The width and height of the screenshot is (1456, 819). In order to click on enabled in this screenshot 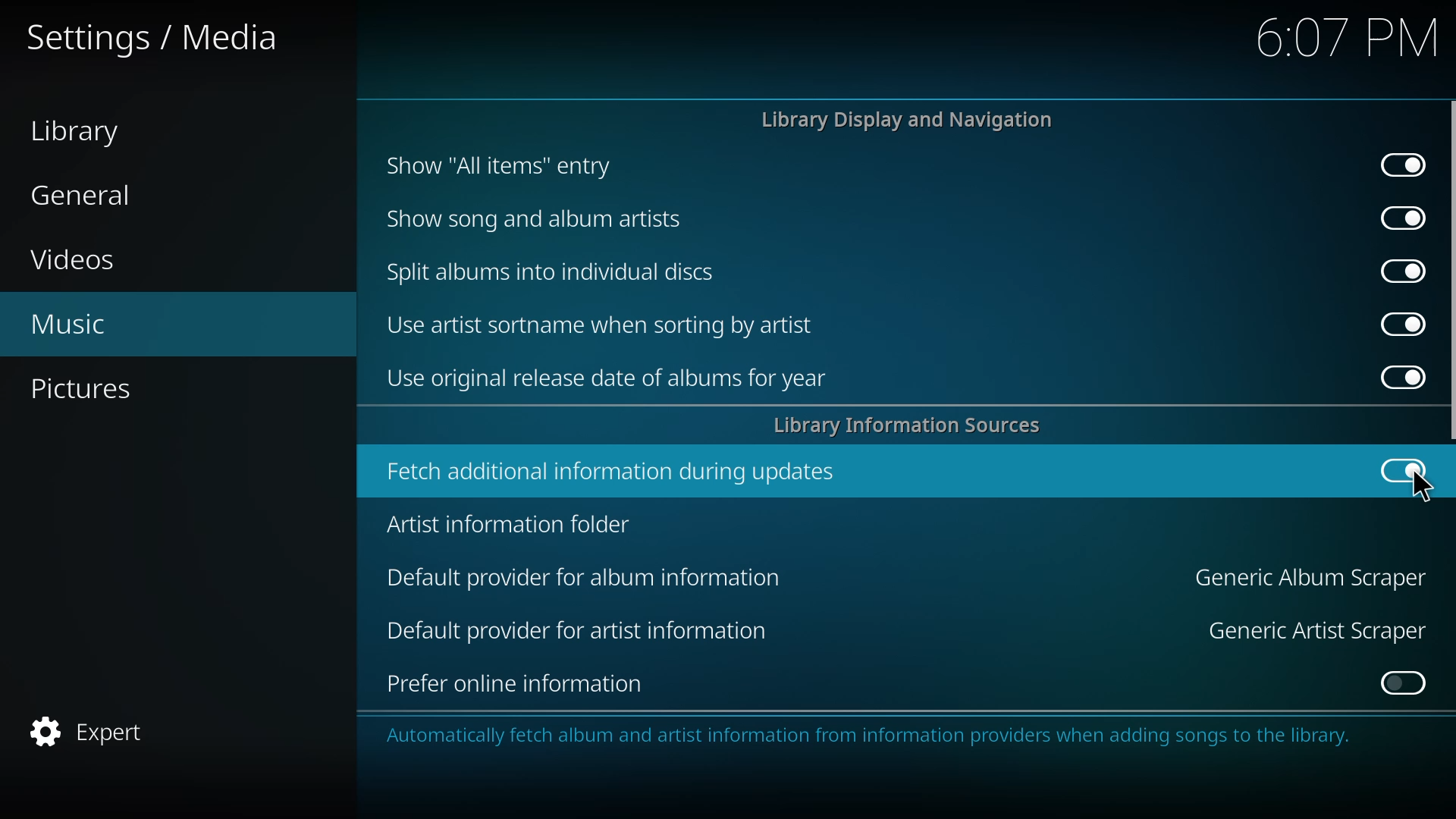, I will do `click(1398, 324)`.